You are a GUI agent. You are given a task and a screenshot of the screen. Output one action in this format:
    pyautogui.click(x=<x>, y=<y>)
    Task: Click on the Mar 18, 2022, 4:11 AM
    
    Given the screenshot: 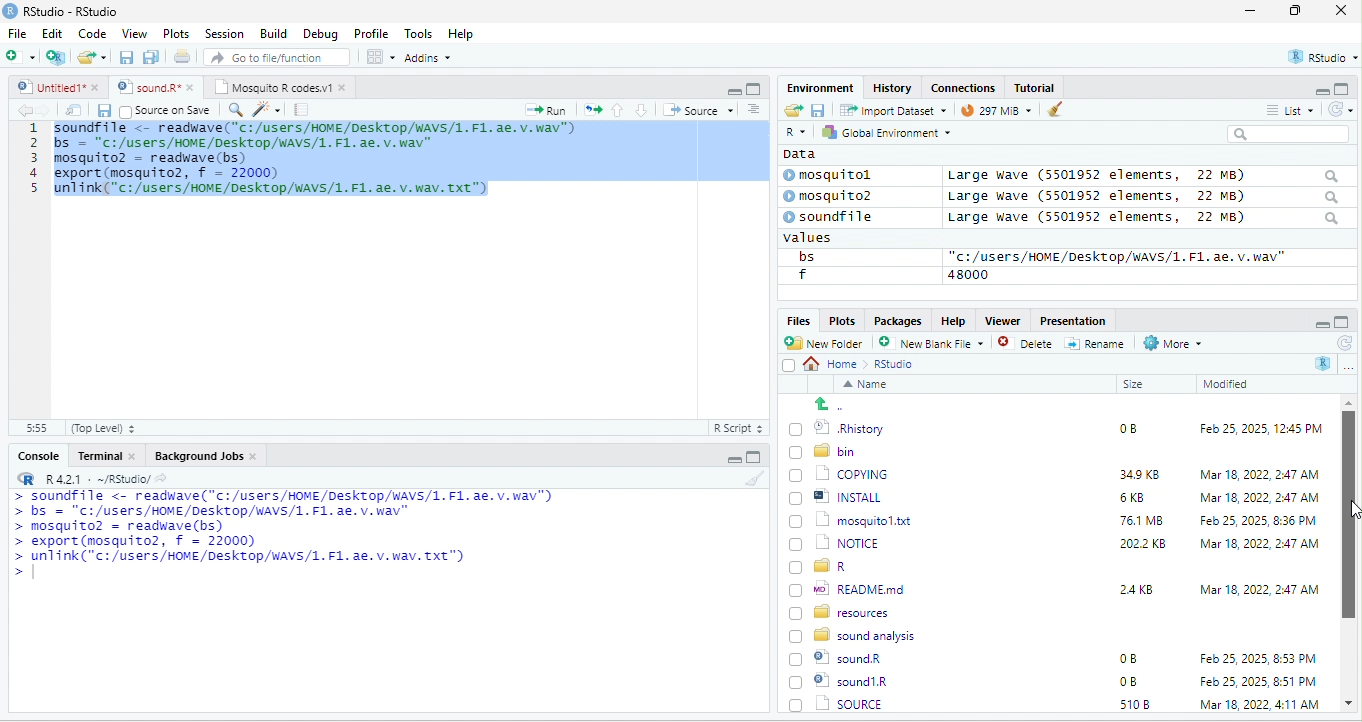 What is the action you would take?
    pyautogui.click(x=1258, y=681)
    